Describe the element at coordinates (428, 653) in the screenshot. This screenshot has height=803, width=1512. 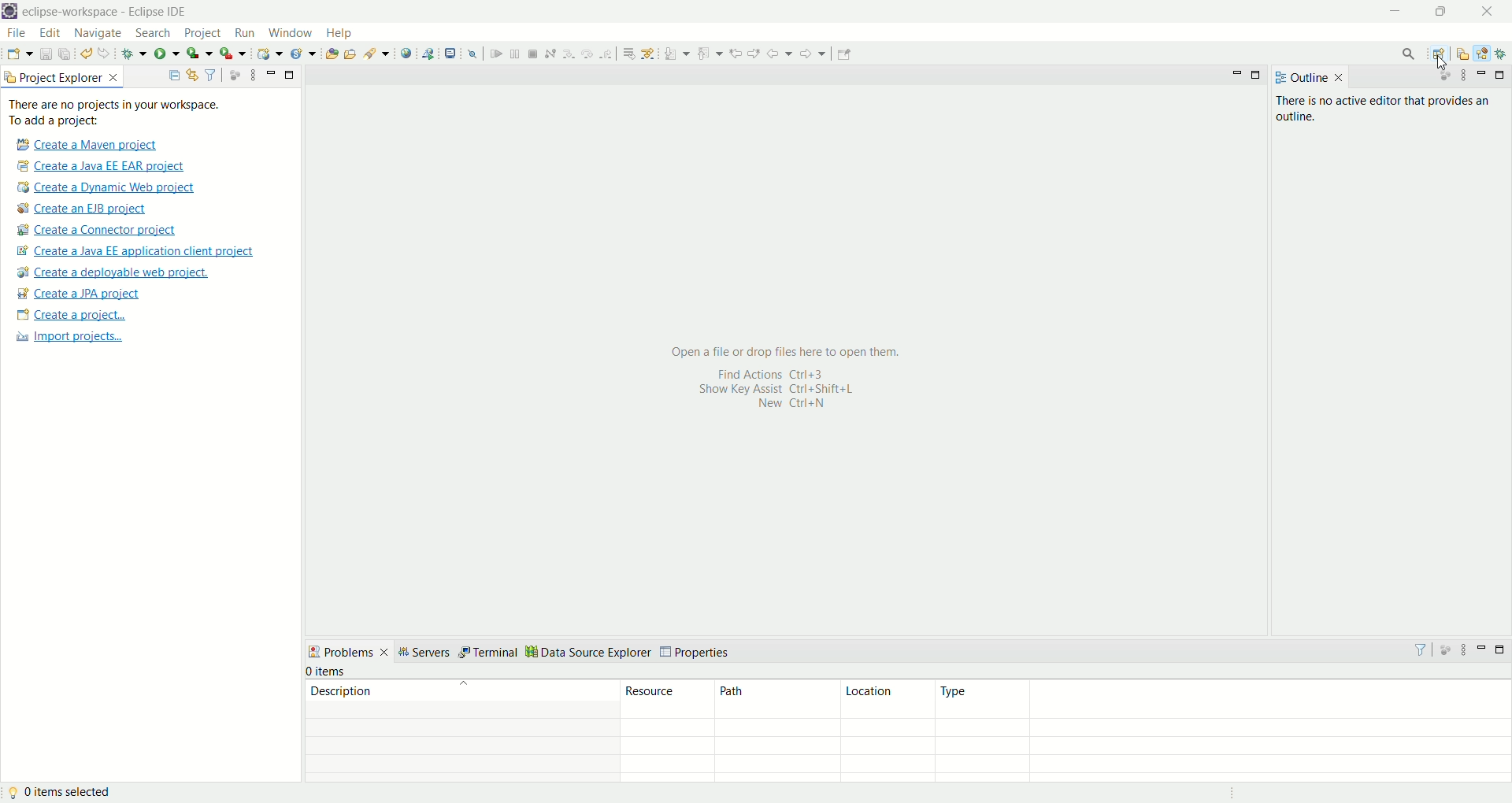
I see `servers` at that location.